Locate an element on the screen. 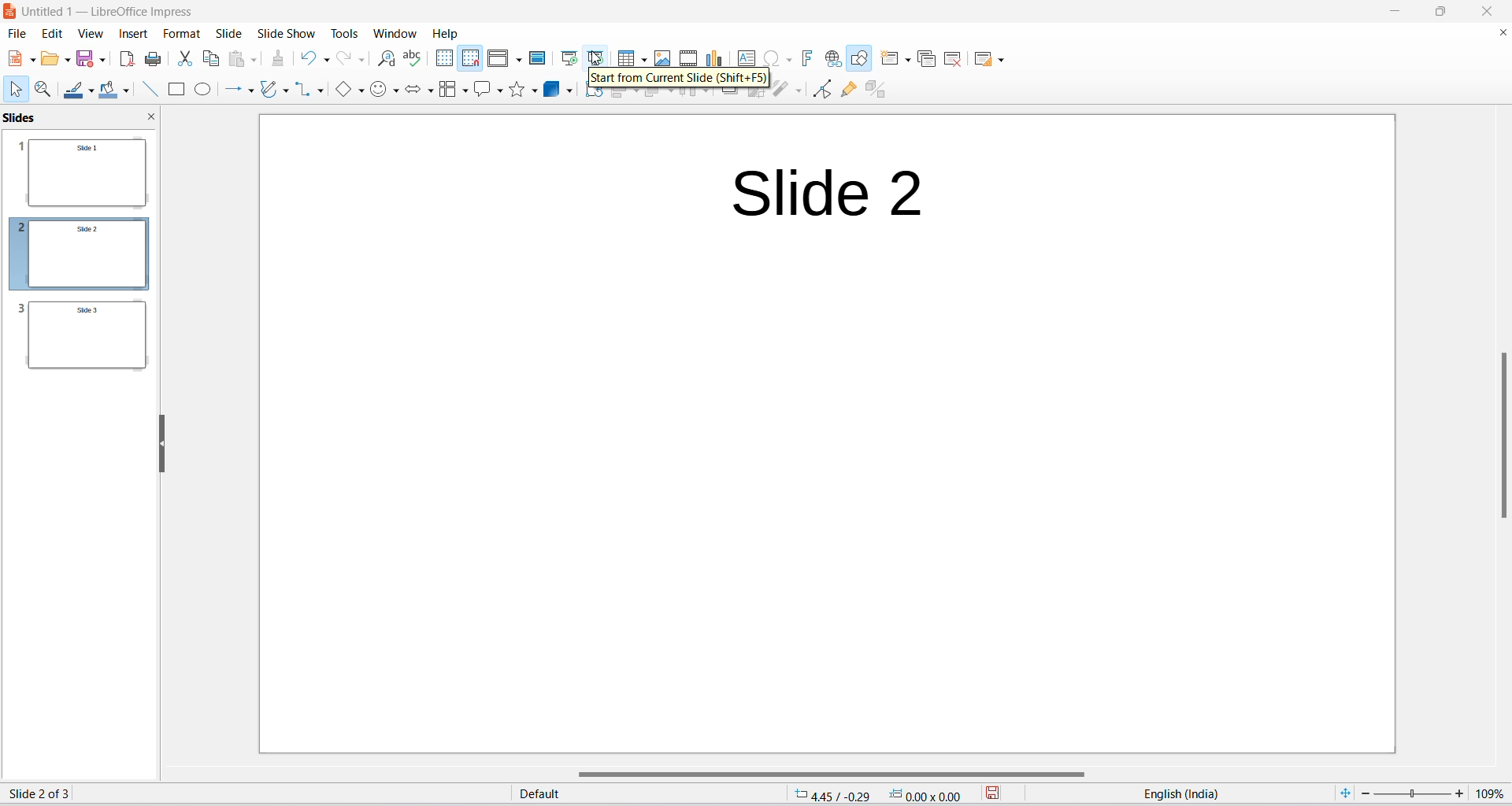 The width and height of the screenshot is (1512, 806). stars options is located at coordinates (536, 93).